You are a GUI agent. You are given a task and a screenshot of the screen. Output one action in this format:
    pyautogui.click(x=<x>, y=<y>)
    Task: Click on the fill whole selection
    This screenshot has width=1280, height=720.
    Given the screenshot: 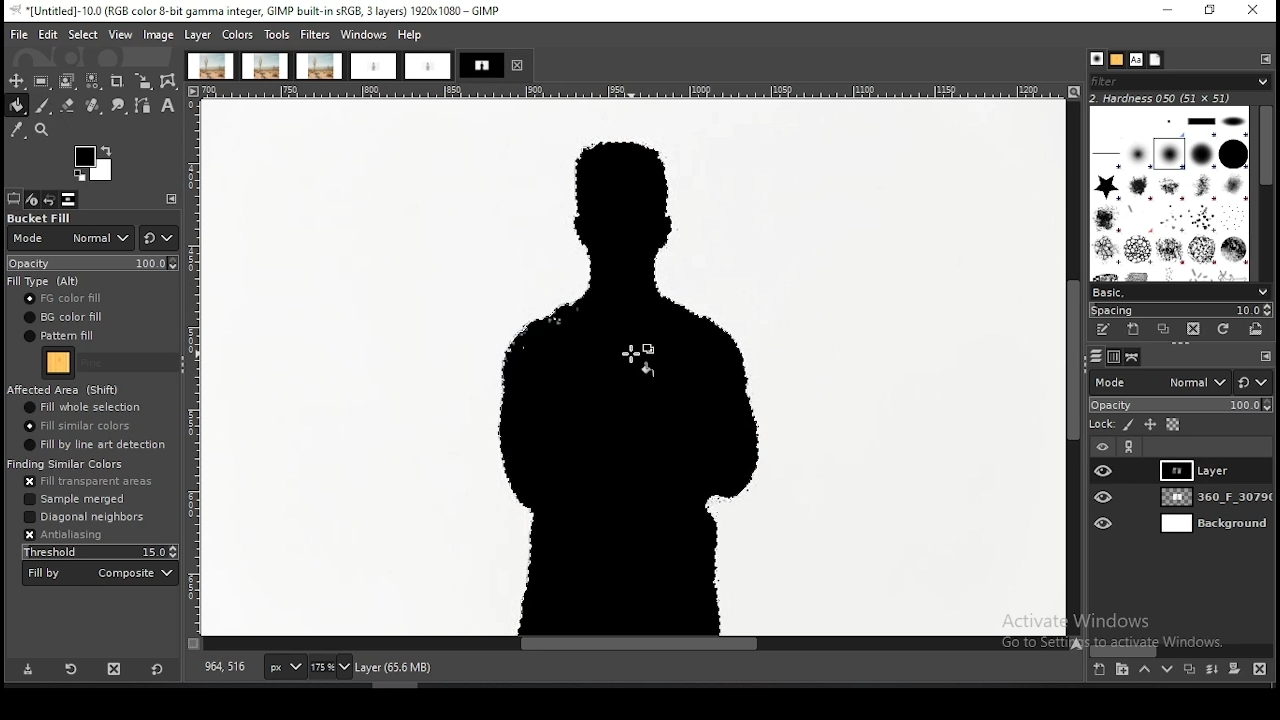 What is the action you would take?
    pyautogui.click(x=83, y=407)
    